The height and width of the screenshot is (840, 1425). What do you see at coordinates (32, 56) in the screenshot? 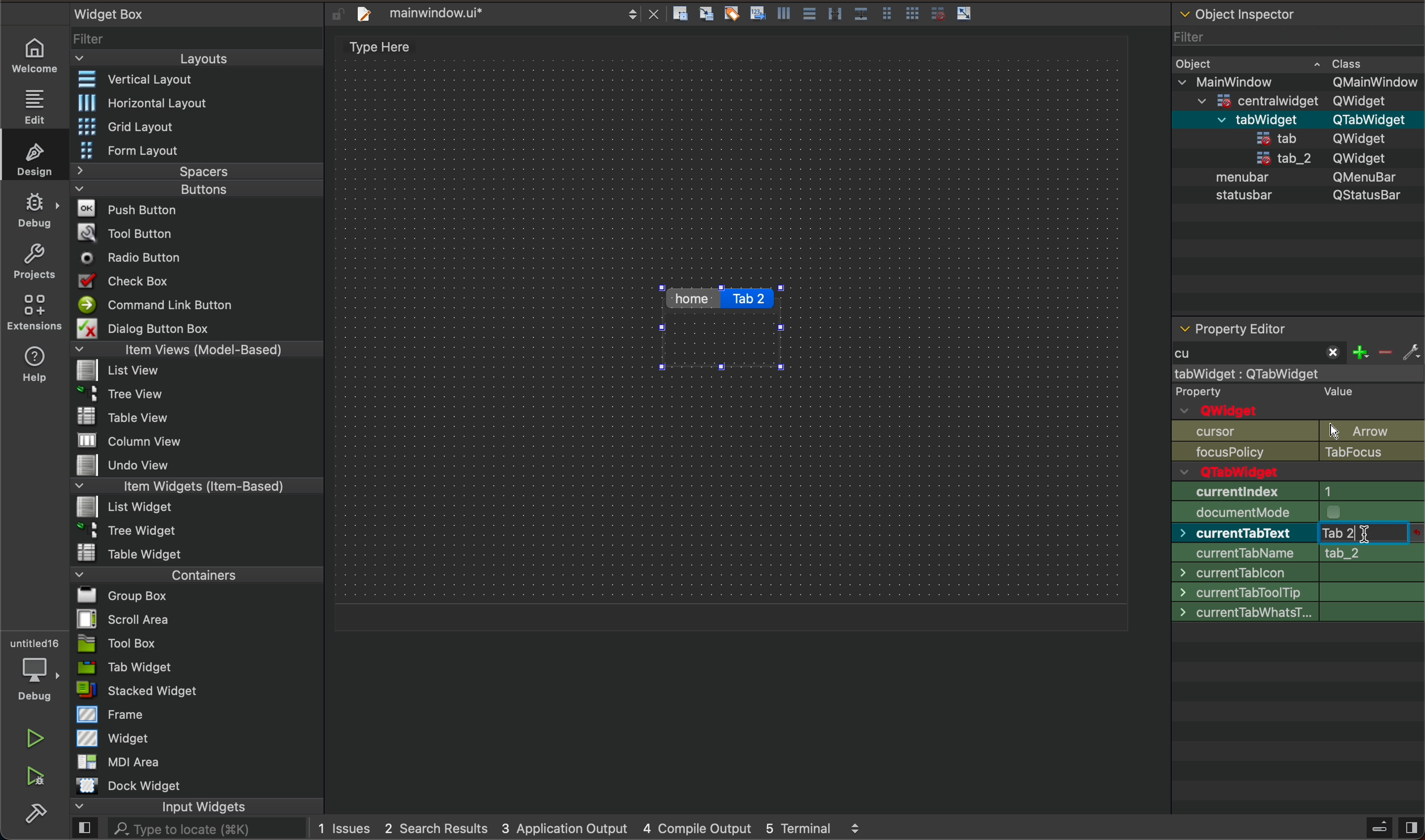
I see `welcome` at bounding box center [32, 56].